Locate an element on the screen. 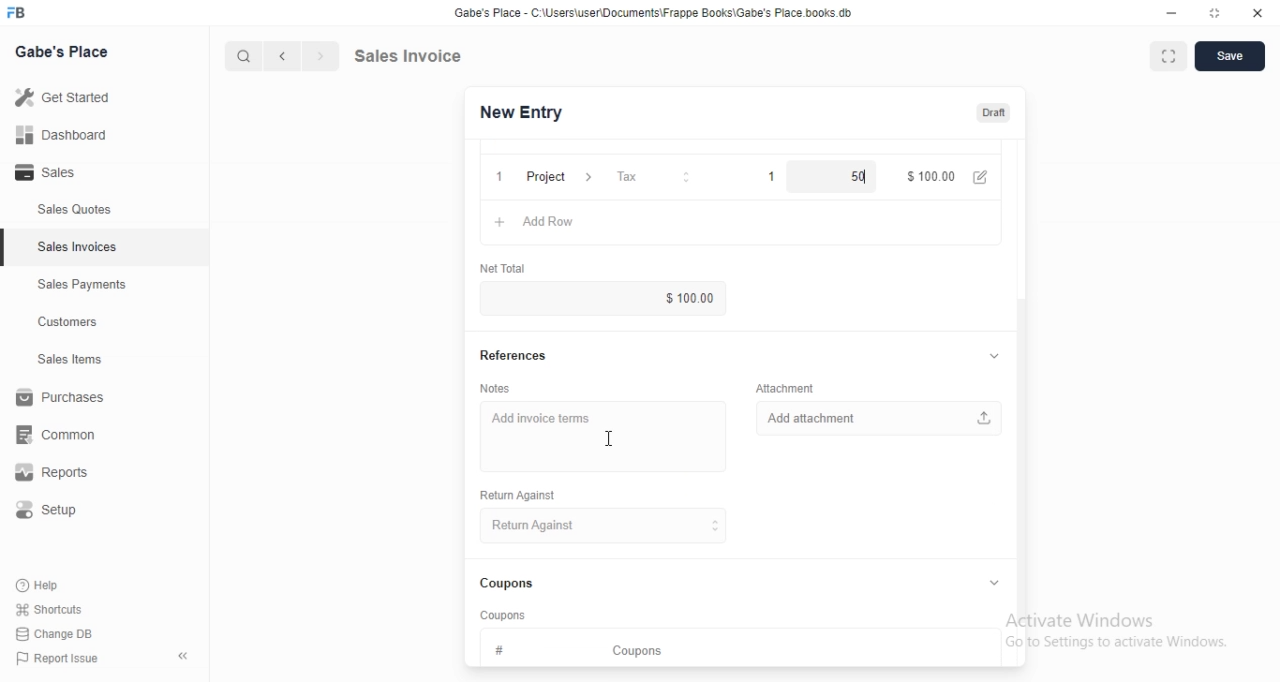 The image size is (1280, 682). 1 is located at coordinates (762, 175).